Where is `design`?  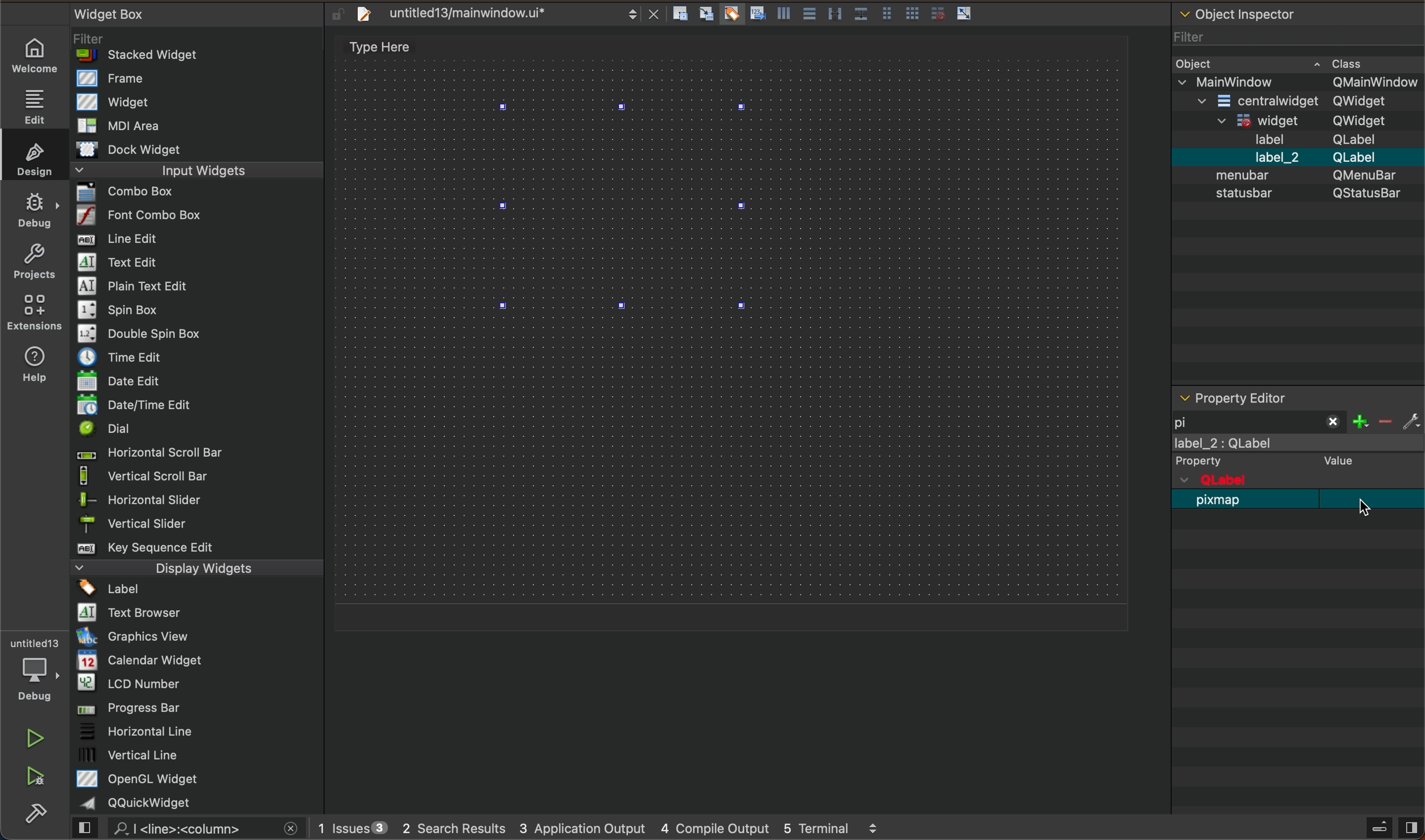
design is located at coordinates (33, 156).